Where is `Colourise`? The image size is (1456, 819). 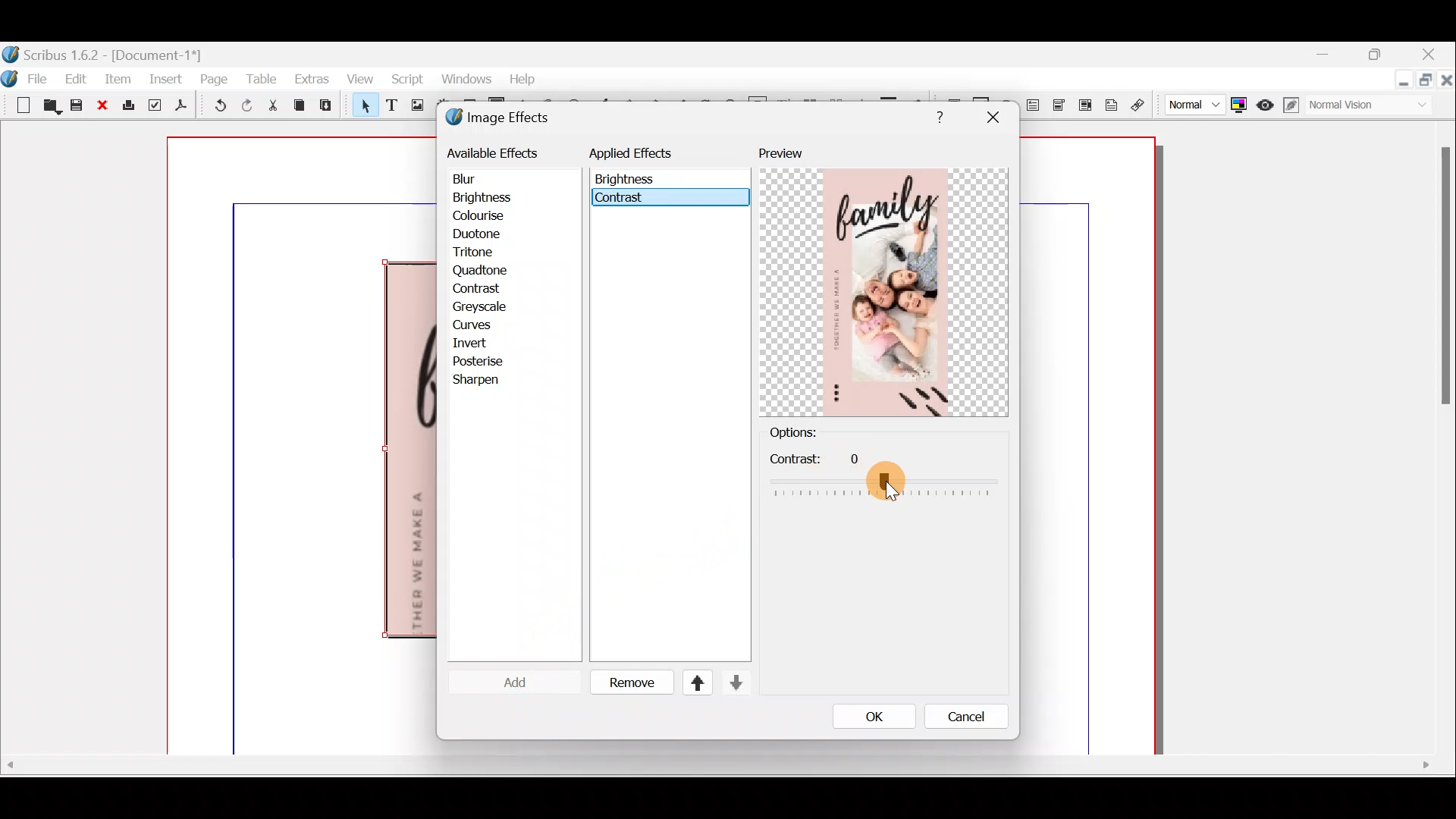 Colourise is located at coordinates (486, 217).